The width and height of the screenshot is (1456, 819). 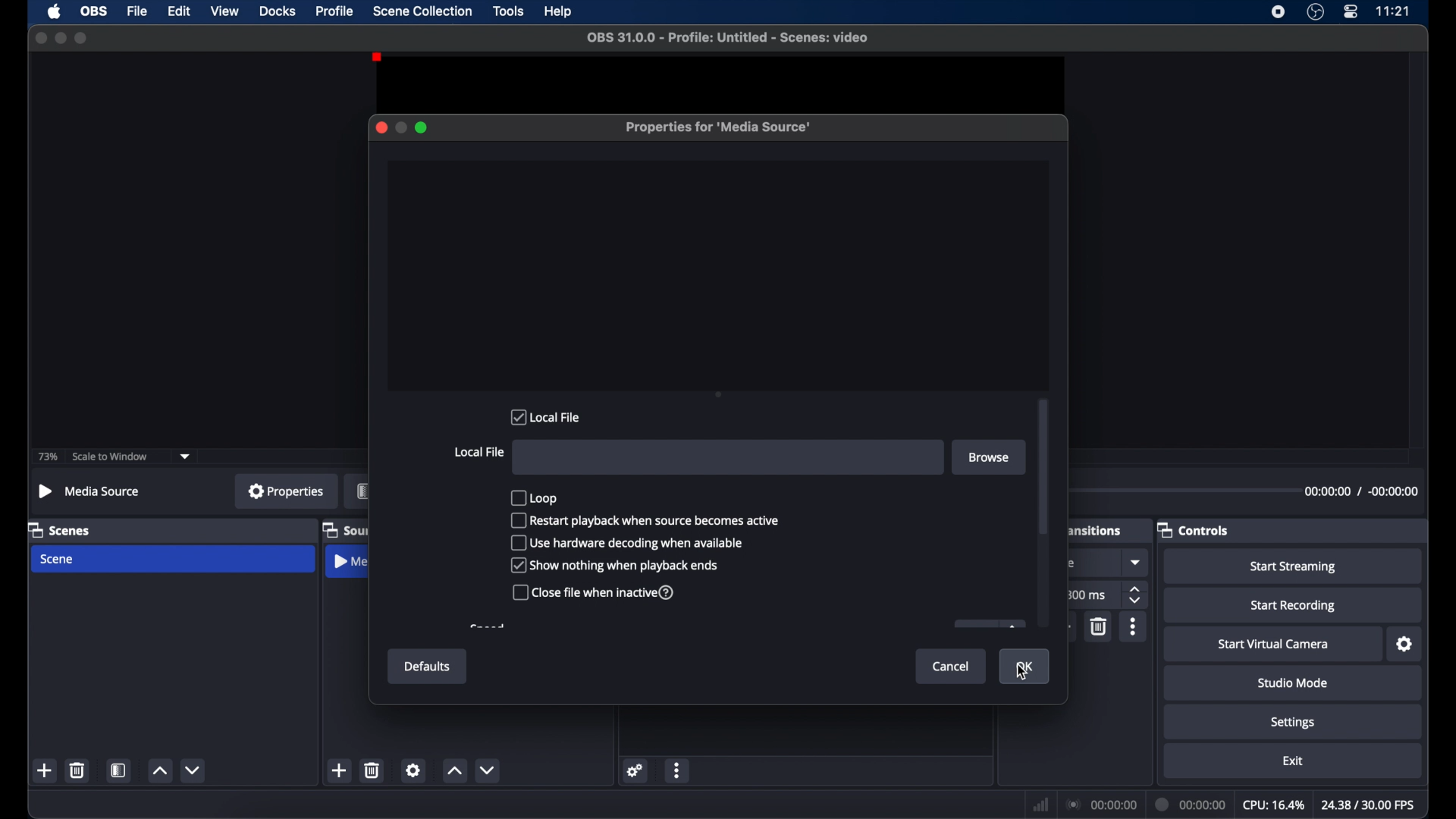 What do you see at coordinates (120, 770) in the screenshot?
I see `scene filters` at bounding box center [120, 770].